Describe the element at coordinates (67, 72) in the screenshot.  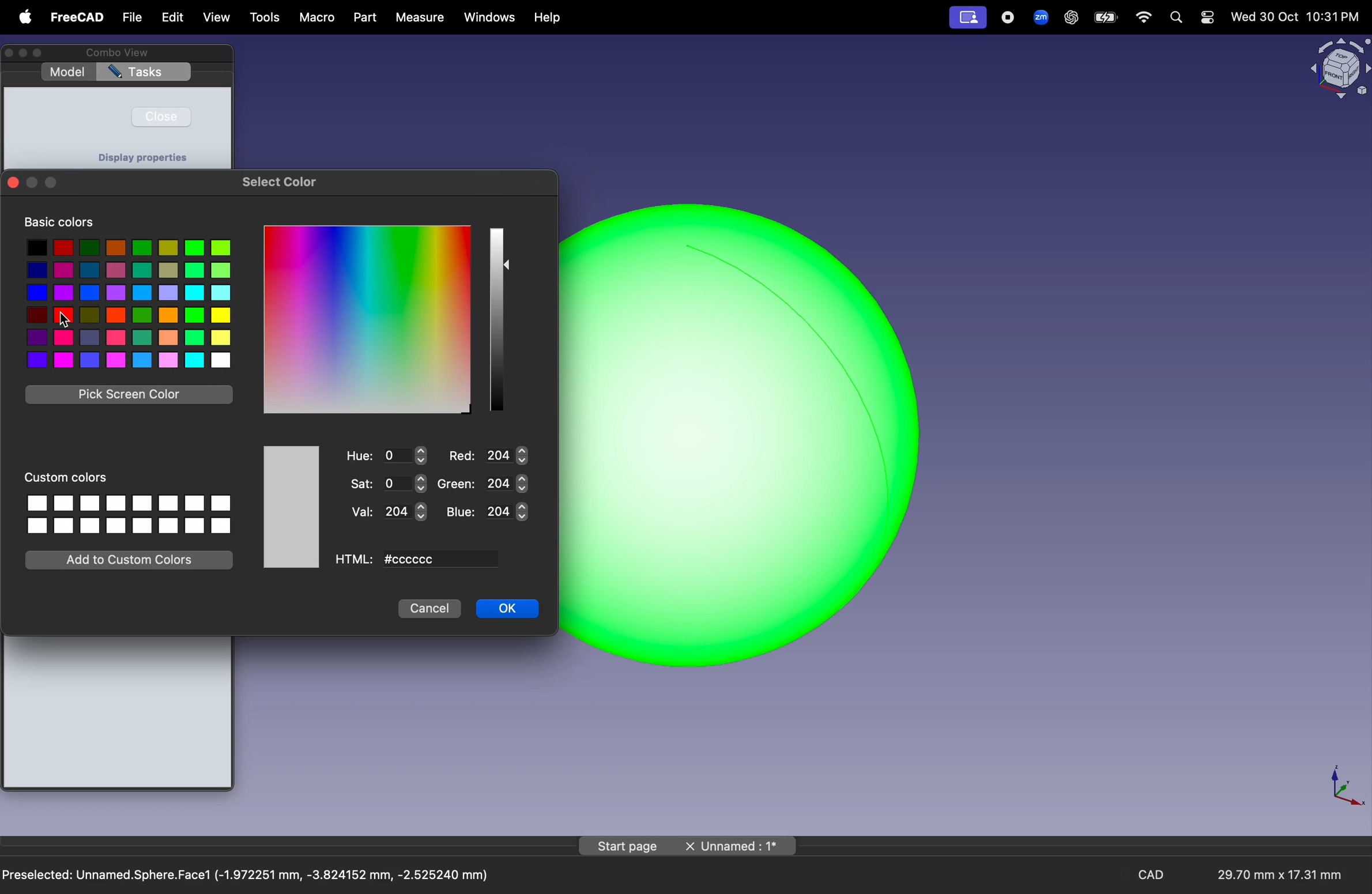
I see `model` at that location.